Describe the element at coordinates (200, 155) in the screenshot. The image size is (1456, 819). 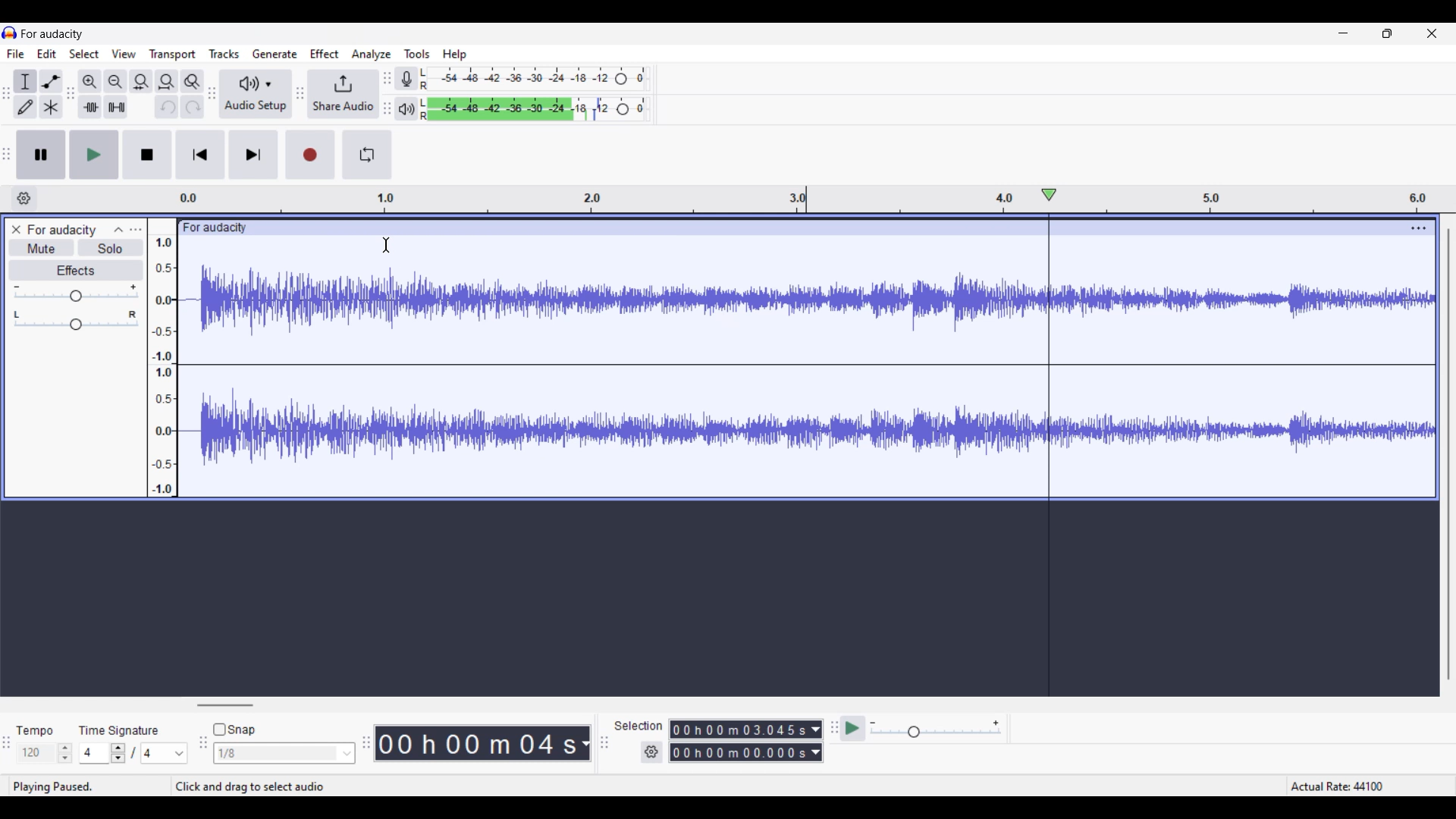
I see `Skip/Select to start` at that location.